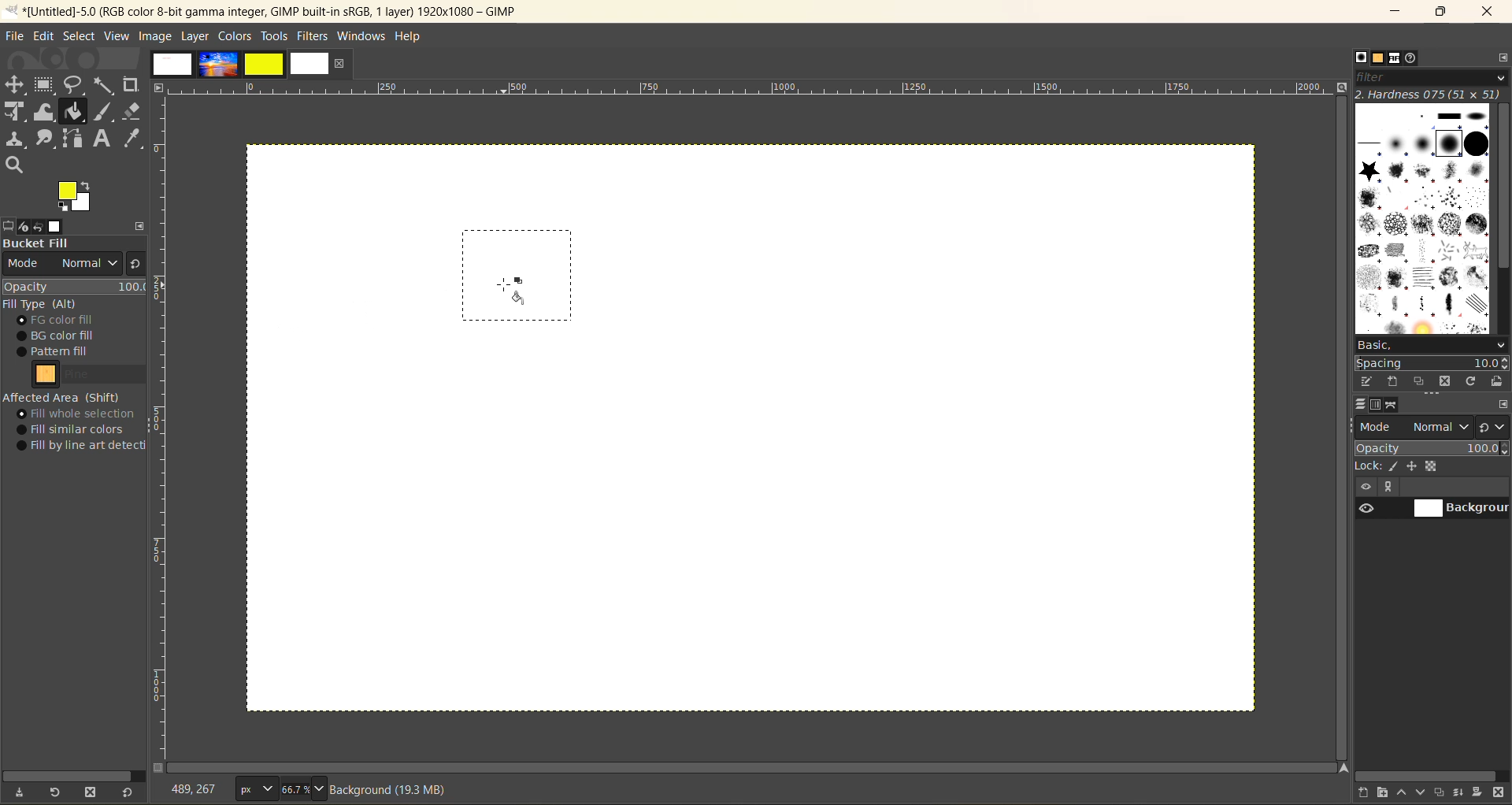 The image size is (1512, 805). What do you see at coordinates (196, 786) in the screenshot?
I see `489, 267` at bounding box center [196, 786].